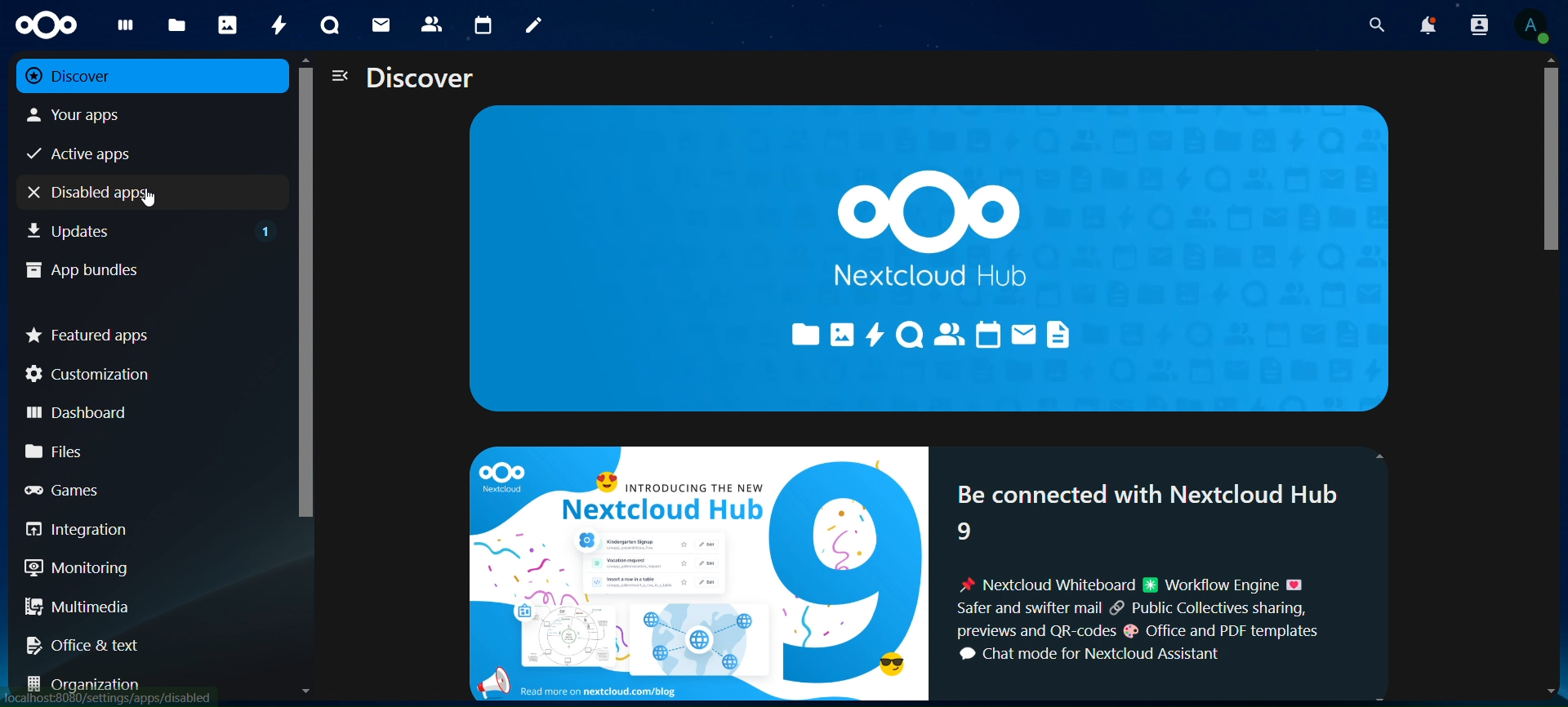 This screenshot has width=1568, height=707. What do you see at coordinates (147, 198) in the screenshot?
I see `cursor` at bounding box center [147, 198].